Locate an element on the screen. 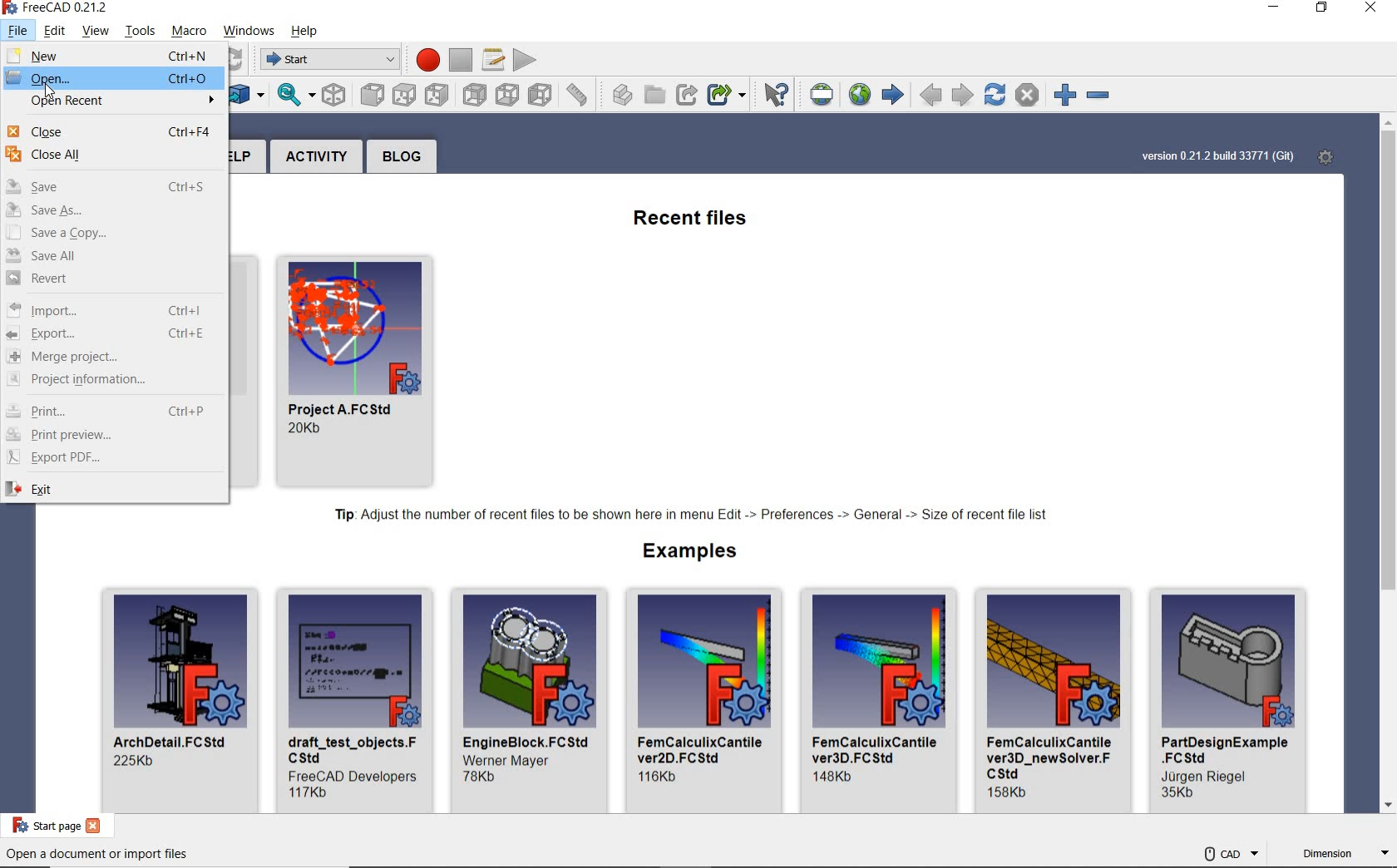 This screenshot has height=868, width=1397. SWITCH BETWEEN WORKBENCES is located at coordinates (327, 60).